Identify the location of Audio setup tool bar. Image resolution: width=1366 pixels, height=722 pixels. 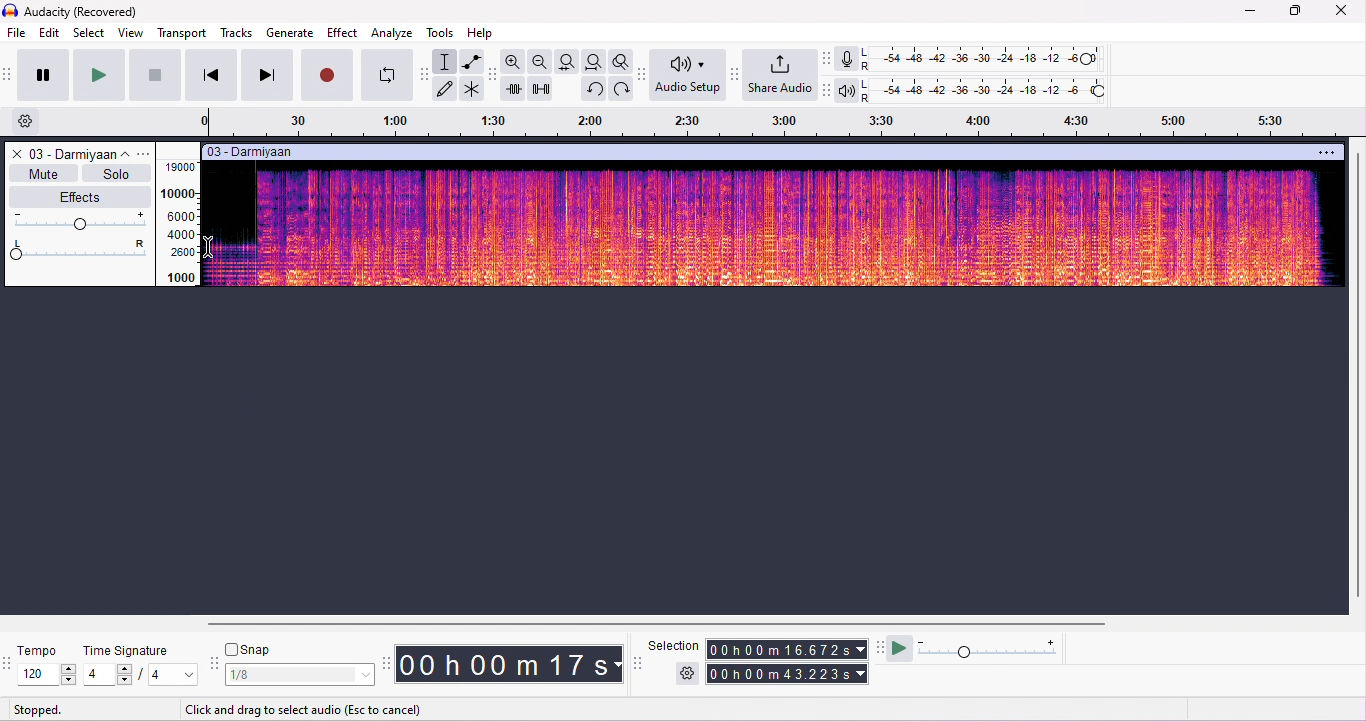
(643, 75).